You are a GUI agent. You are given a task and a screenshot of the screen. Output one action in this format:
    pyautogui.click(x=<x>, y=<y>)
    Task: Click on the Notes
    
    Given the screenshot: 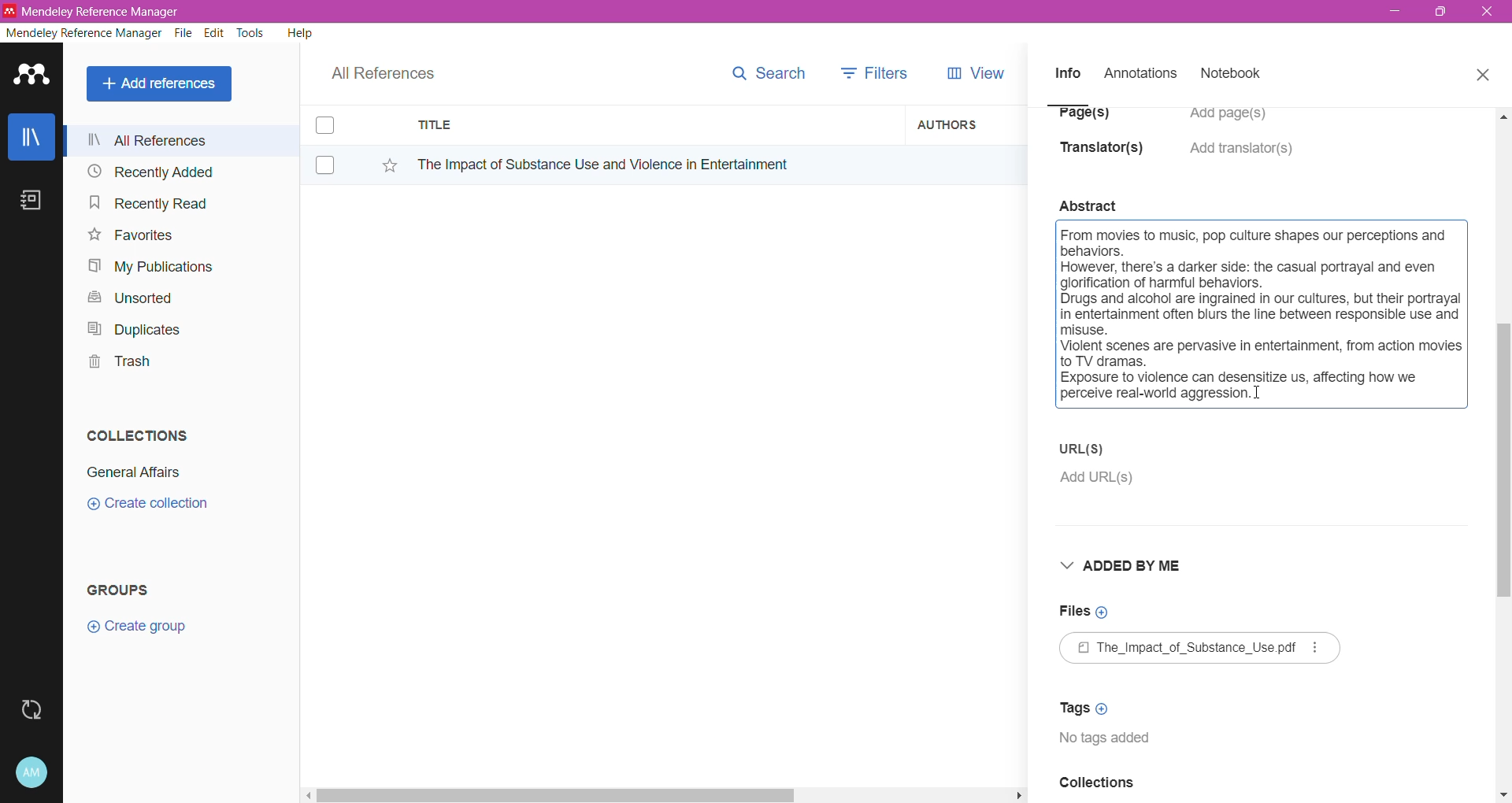 What is the action you would take?
    pyautogui.click(x=35, y=202)
    